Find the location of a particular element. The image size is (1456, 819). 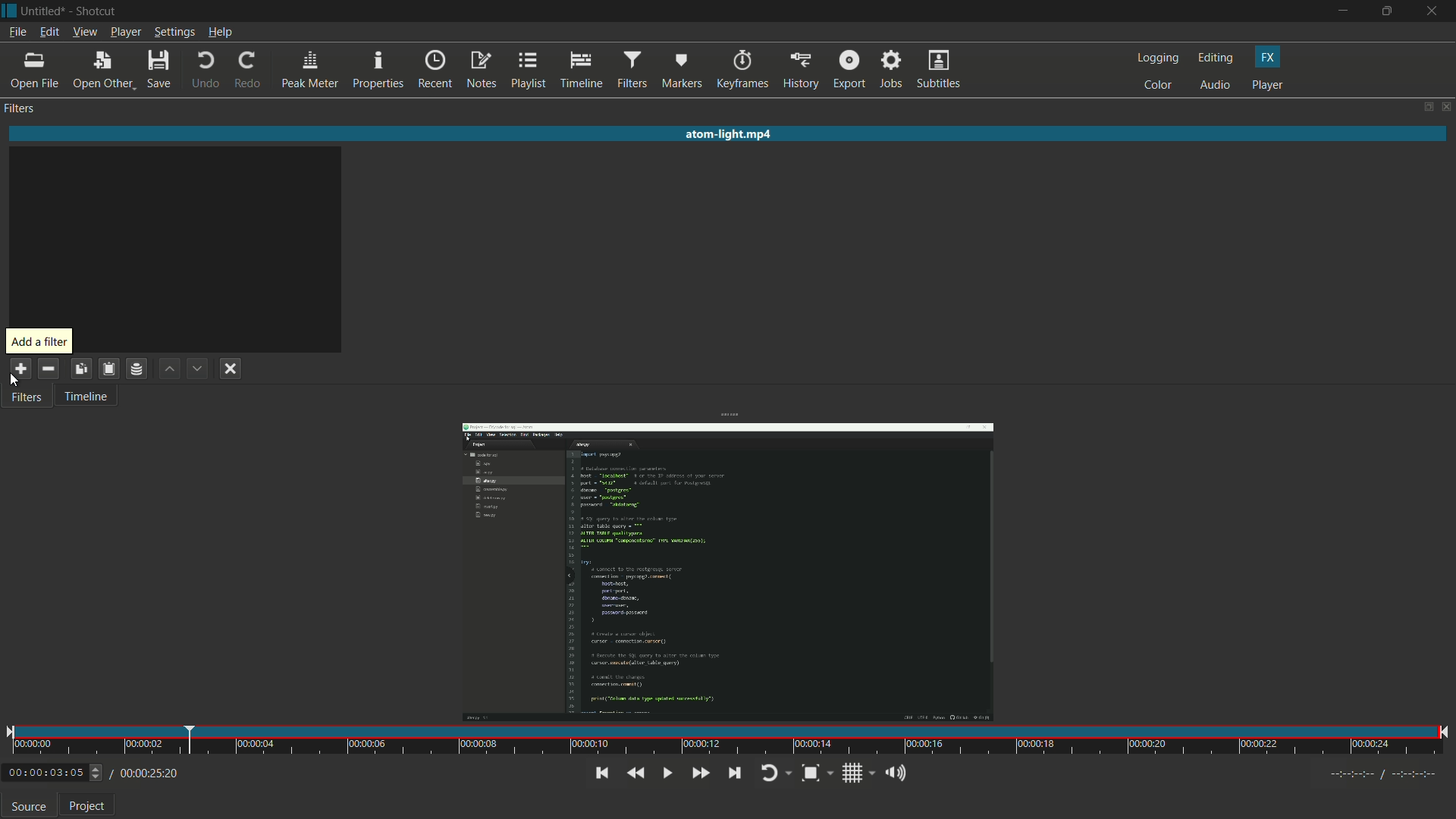

Shotcut is located at coordinates (98, 11).